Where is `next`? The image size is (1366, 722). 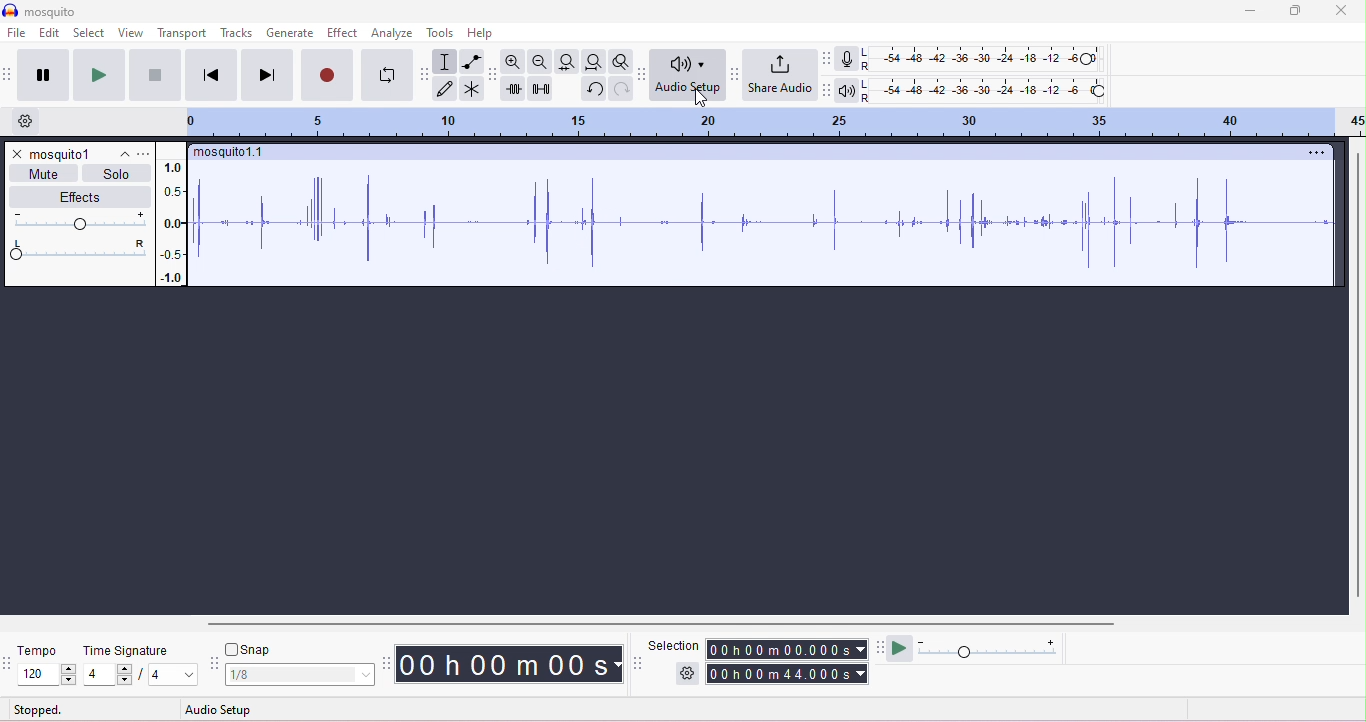
next is located at coordinates (267, 74).